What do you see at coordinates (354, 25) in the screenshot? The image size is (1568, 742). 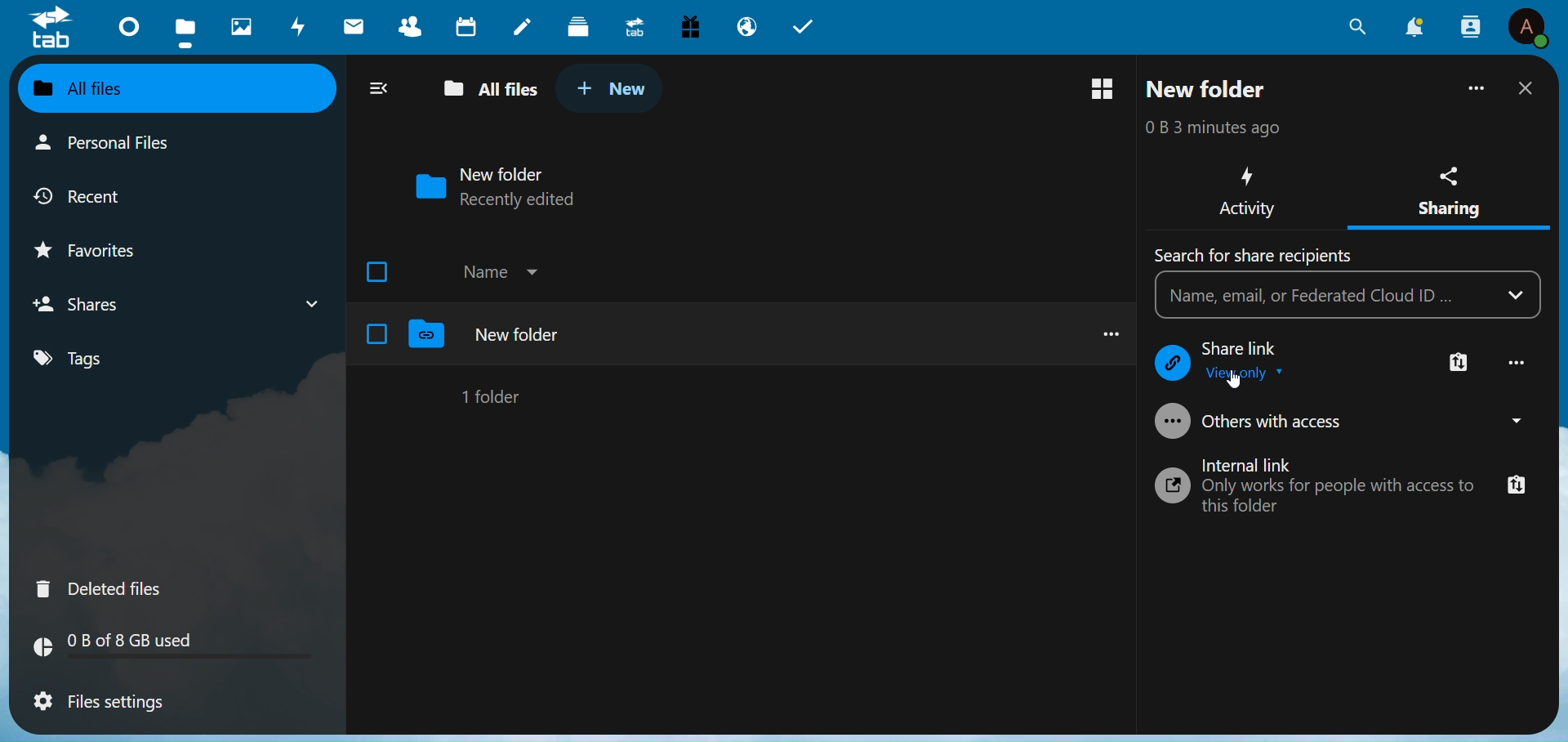 I see `Mail` at bounding box center [354, 25].